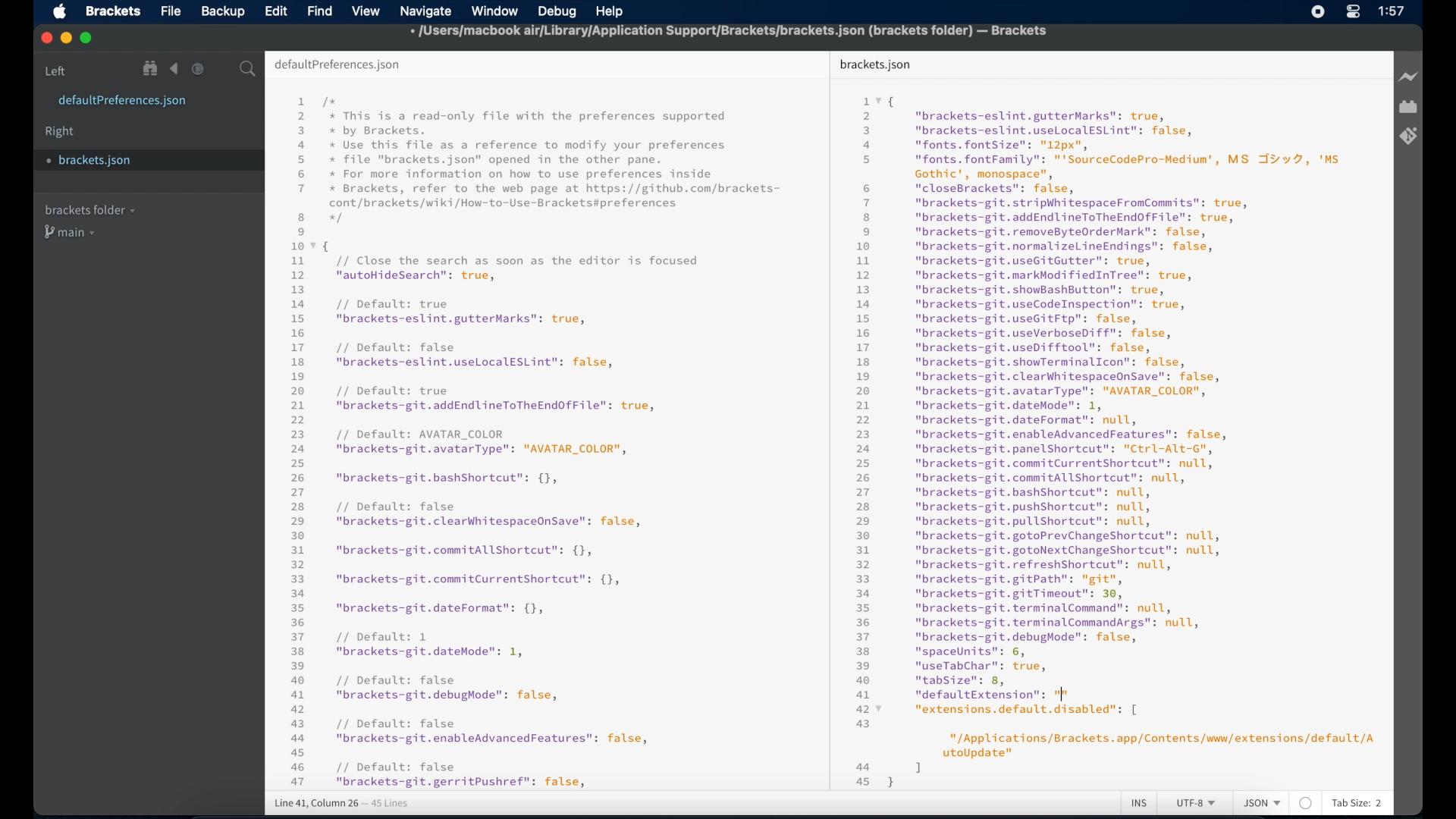 This screenshot has height=819, width=1456. What do you see at coordinates (131, 160) in the screenshot?
I see `brackets.json` at bounding box center [131, 160].